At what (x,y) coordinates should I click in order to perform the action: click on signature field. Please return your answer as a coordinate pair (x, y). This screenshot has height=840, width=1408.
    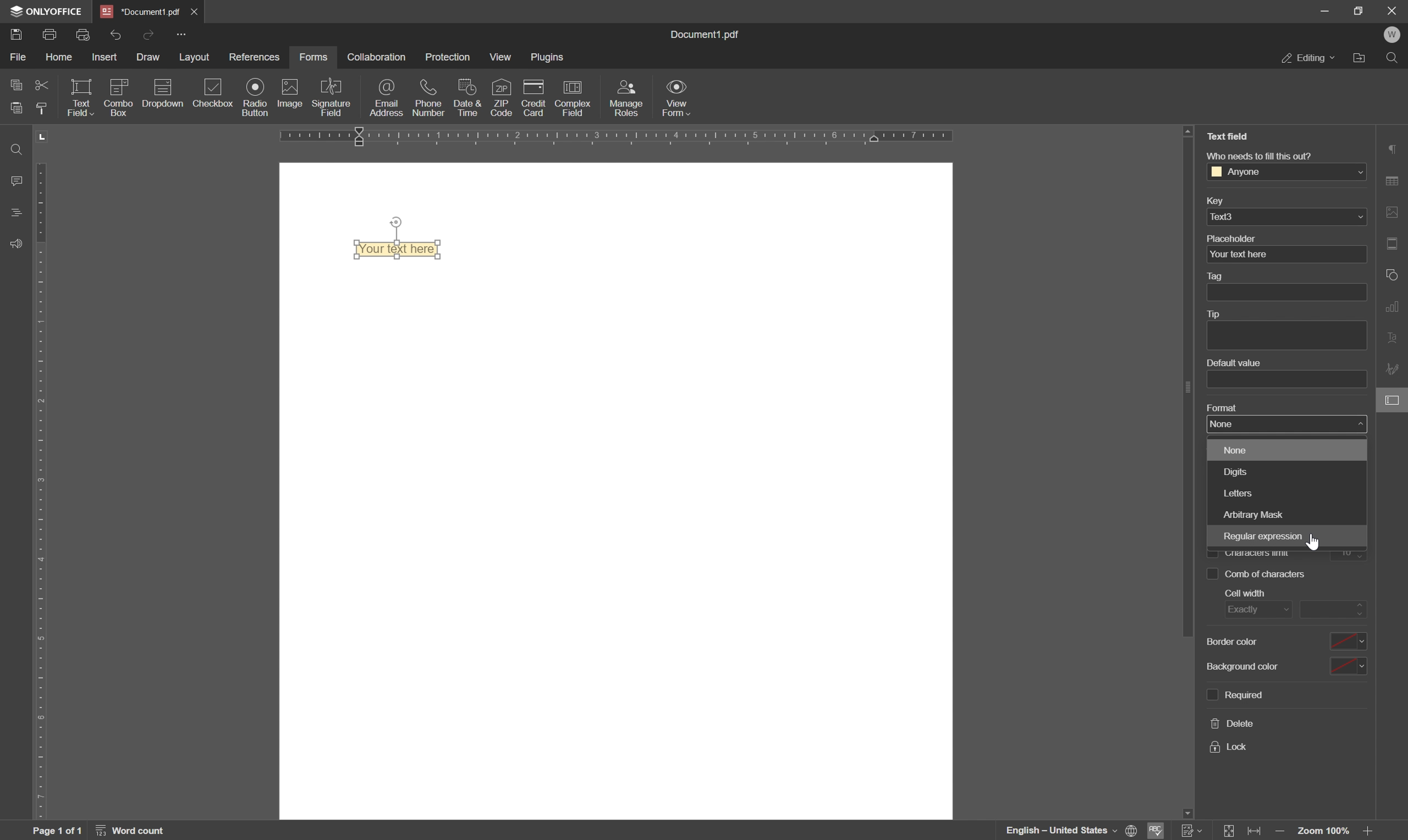
    Looking at the image, I should click on (333, 97).